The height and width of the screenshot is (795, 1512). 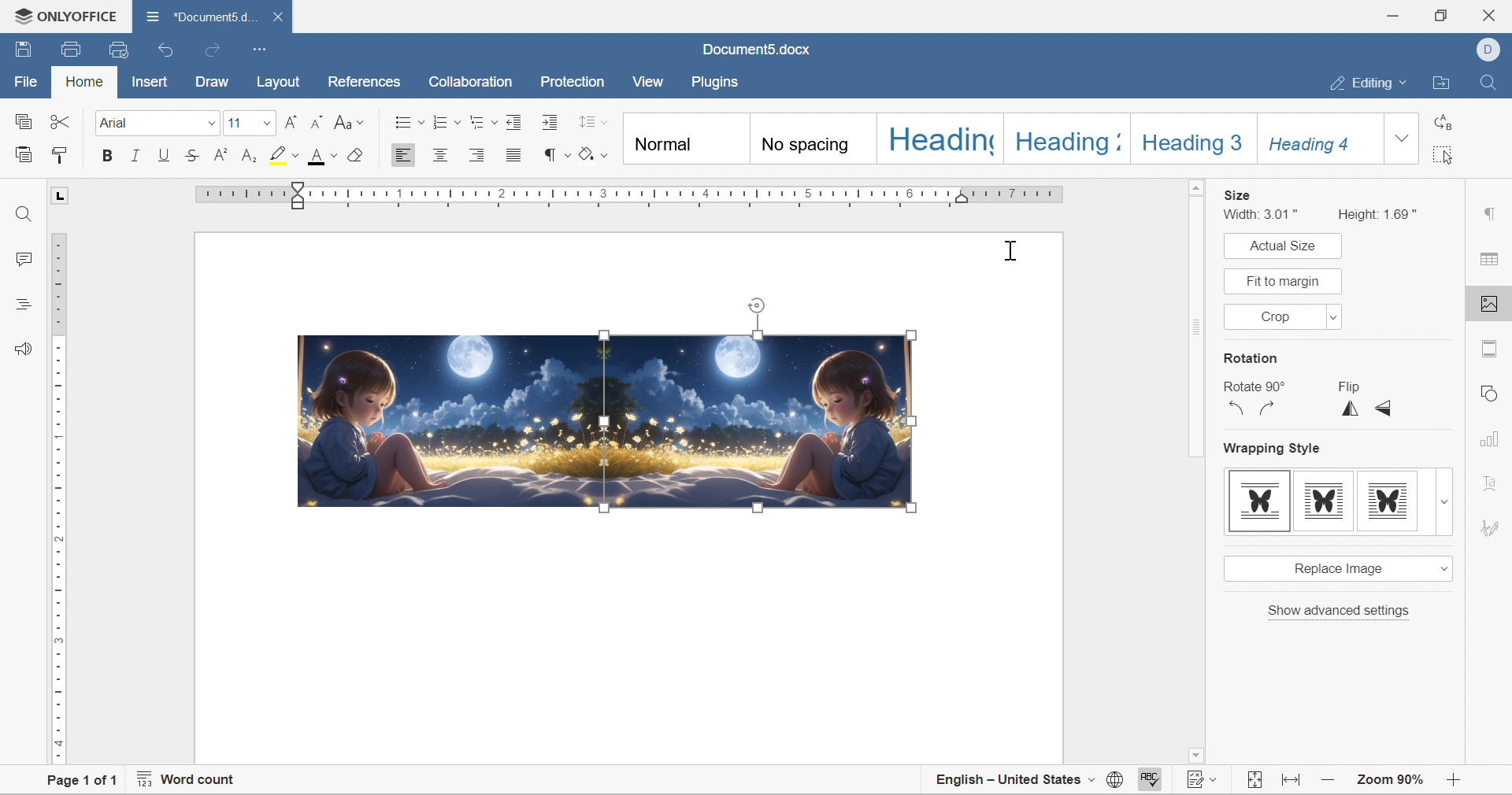 I want to click on english - united states, so click(x=1014, y=779).